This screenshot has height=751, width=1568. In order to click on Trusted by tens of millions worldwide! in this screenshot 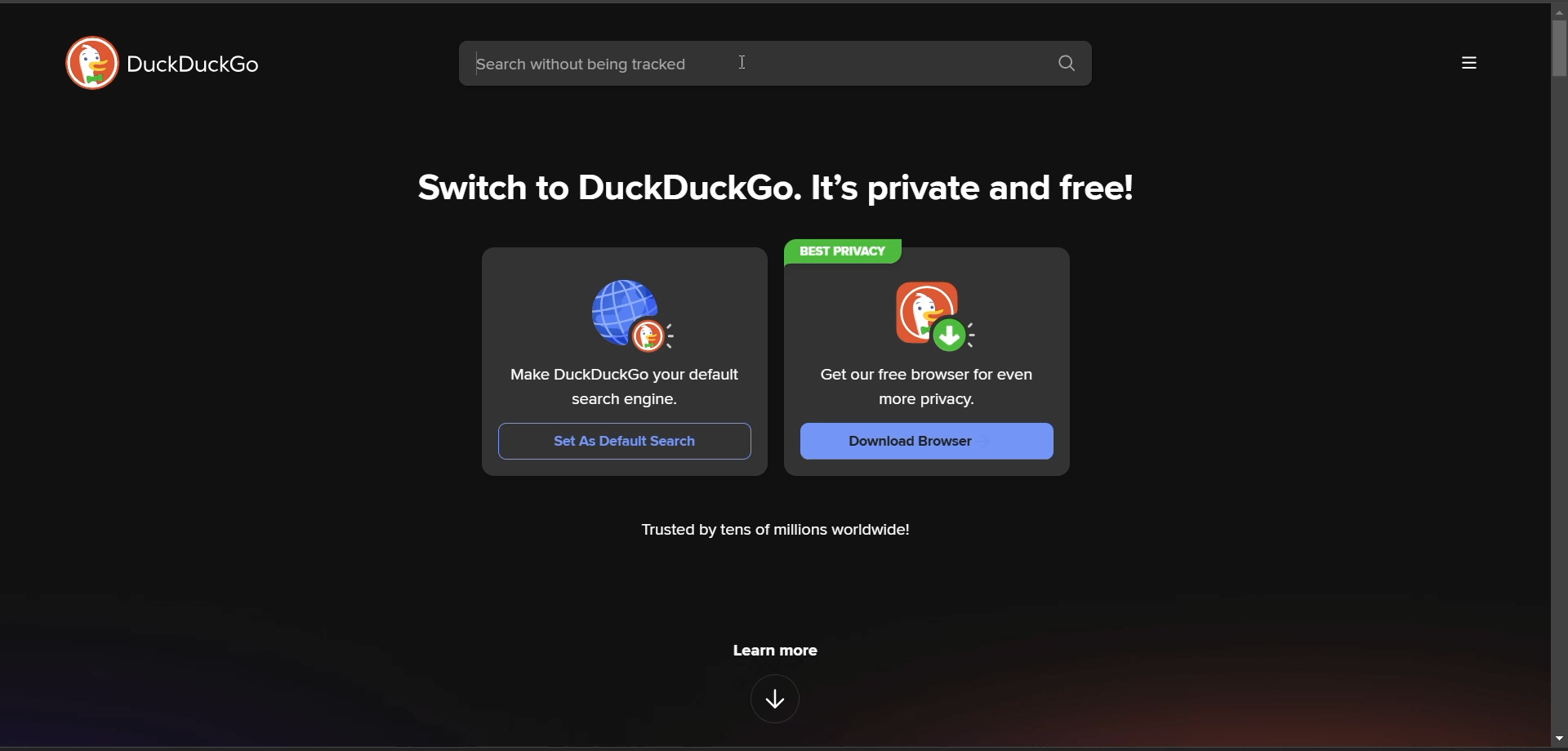, I will do `click(778, 533)`.